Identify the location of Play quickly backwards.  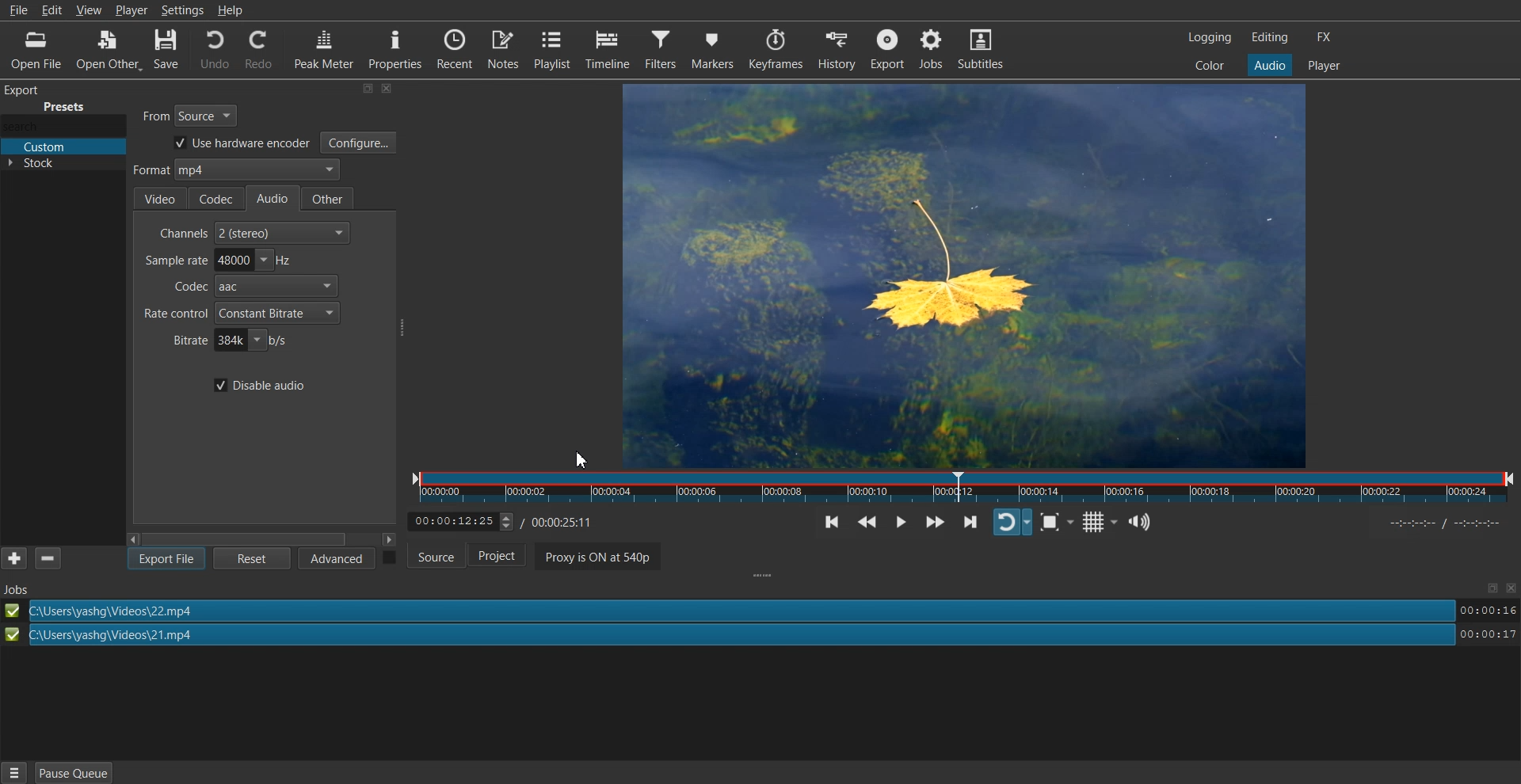
(872, 522).